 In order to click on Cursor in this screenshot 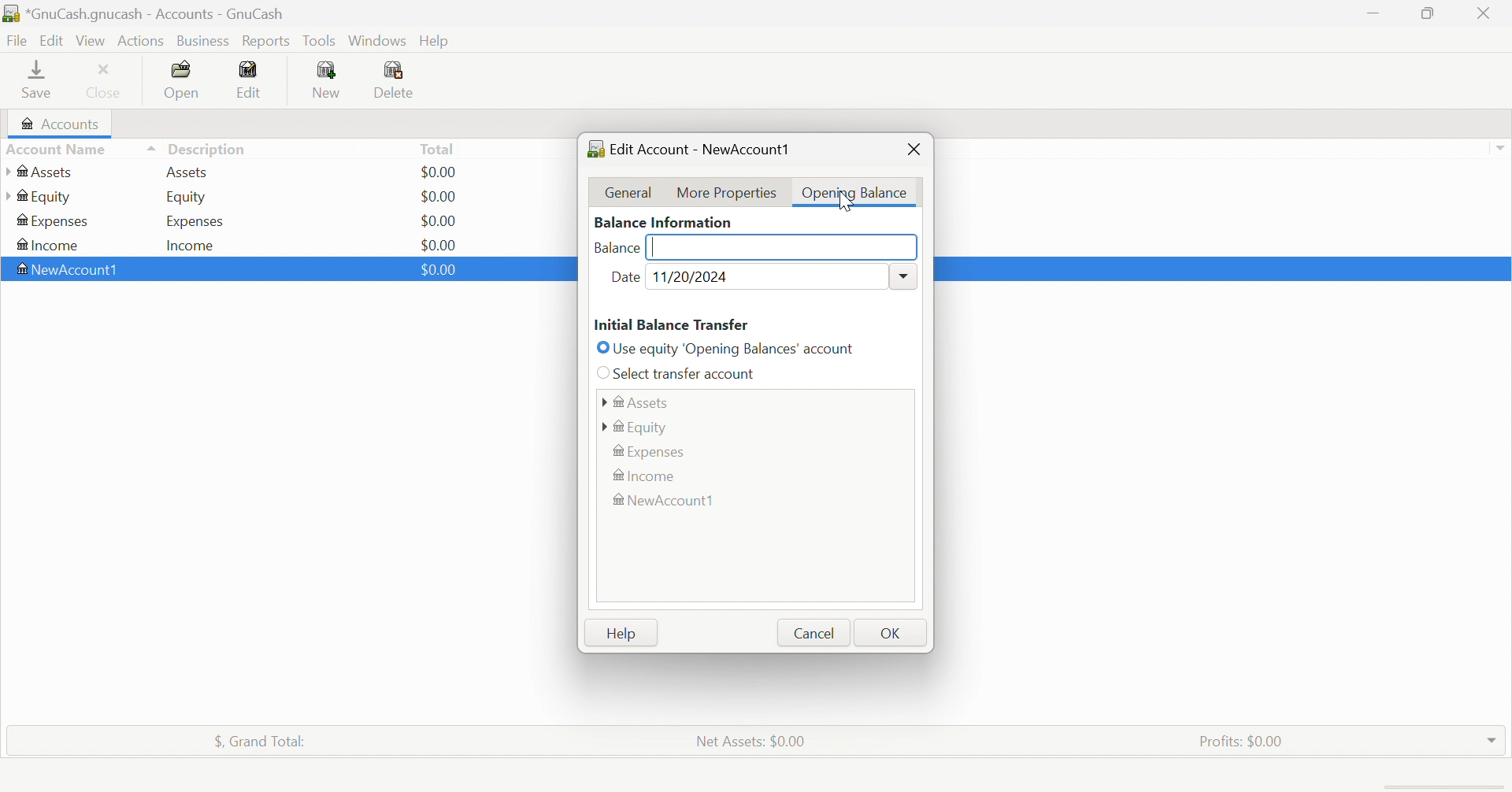, I will do `click(846, 202)`.